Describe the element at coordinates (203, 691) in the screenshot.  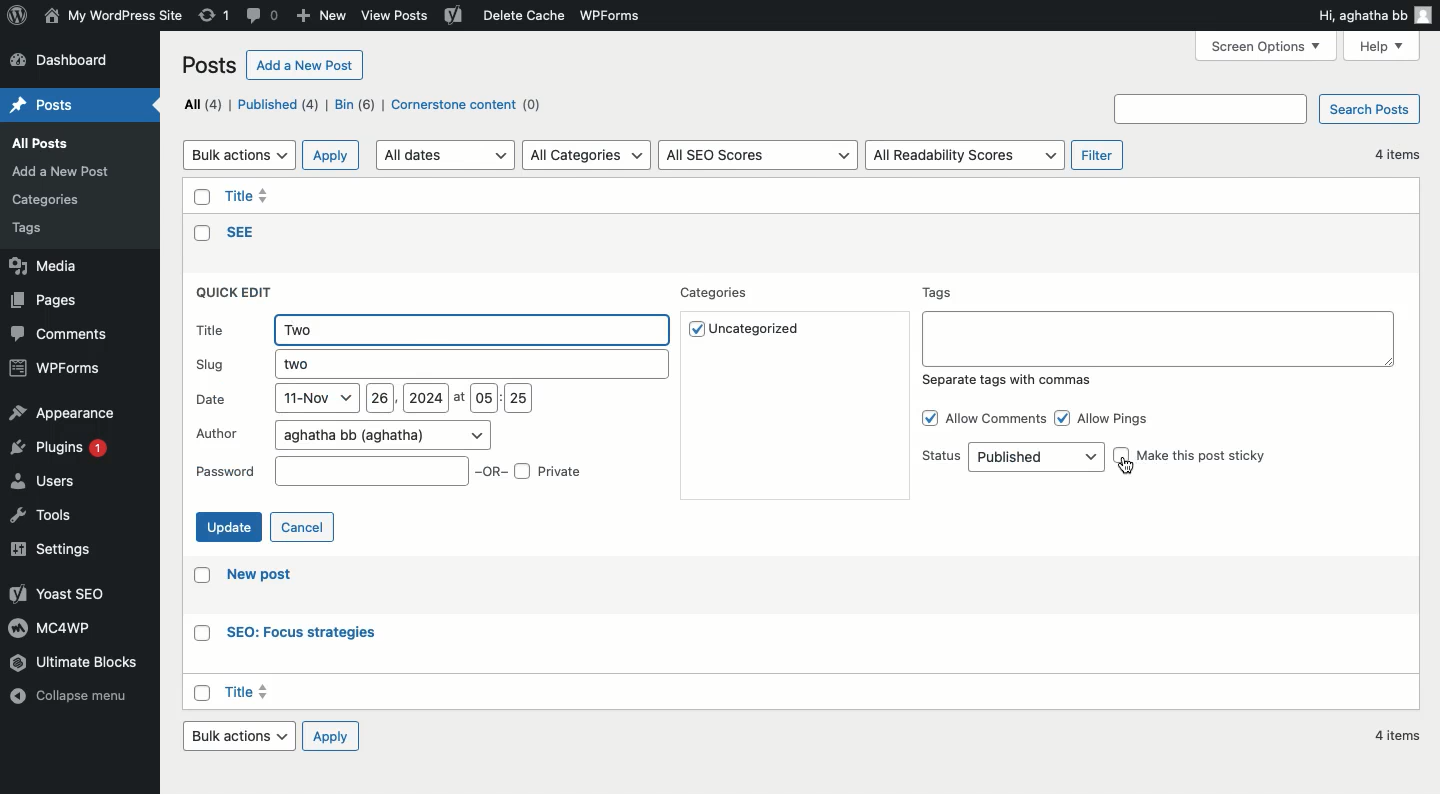
I see `Checkbox` at that location.